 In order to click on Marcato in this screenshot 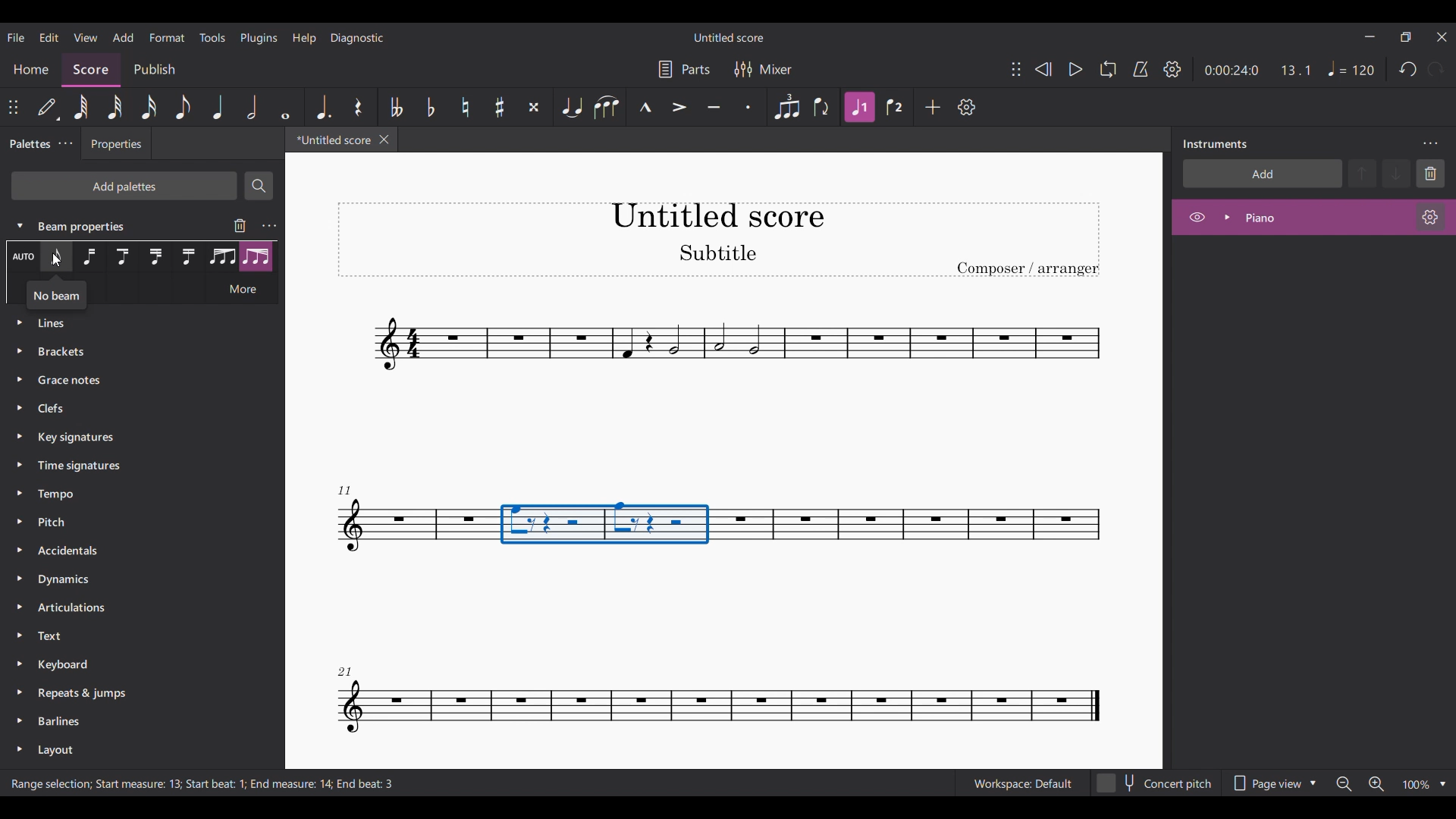, I will do `click(645, 107)`.